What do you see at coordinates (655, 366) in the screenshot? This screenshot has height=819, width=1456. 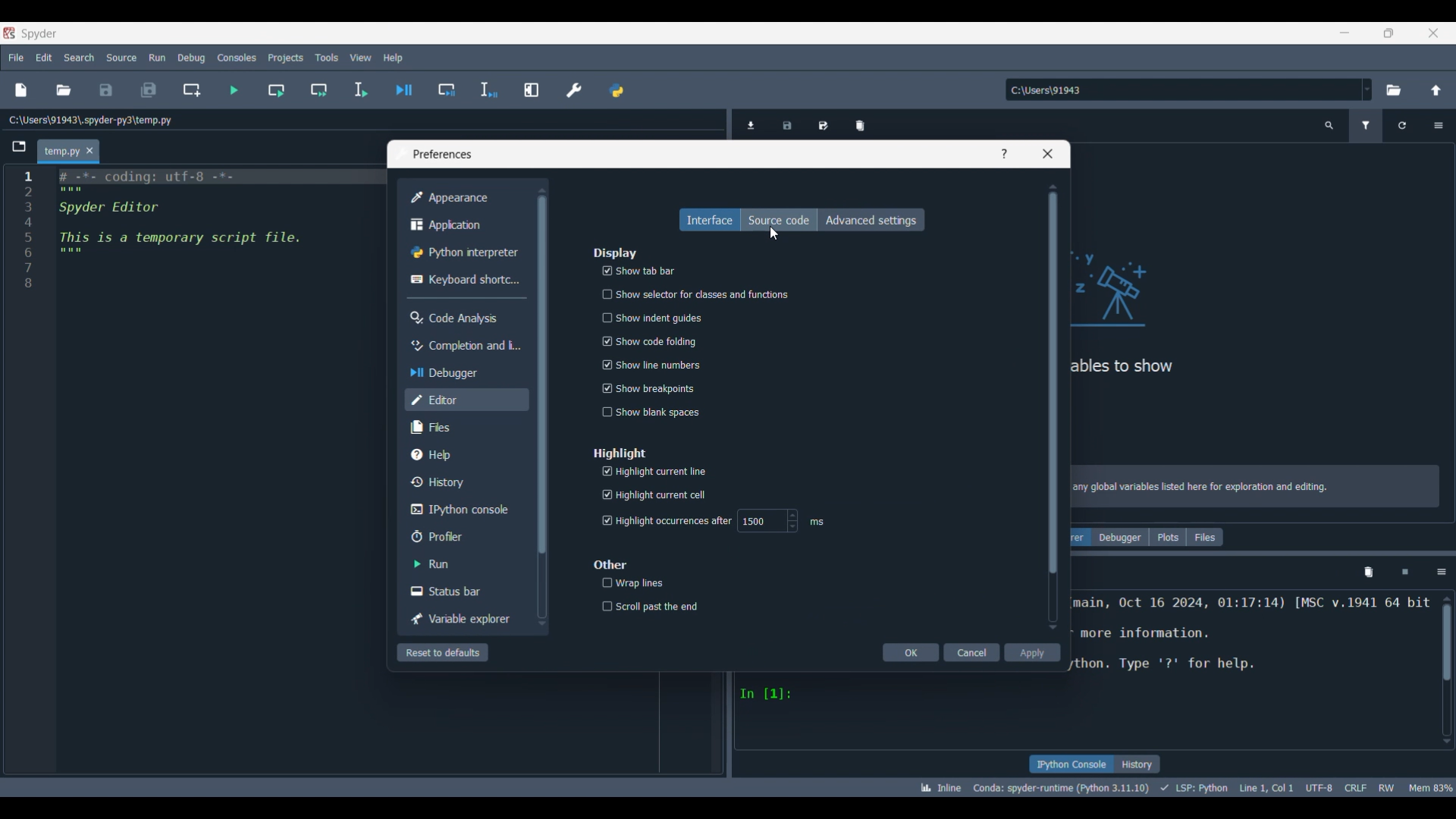 I see `Show line numbers` at bounding box center [655, 366].